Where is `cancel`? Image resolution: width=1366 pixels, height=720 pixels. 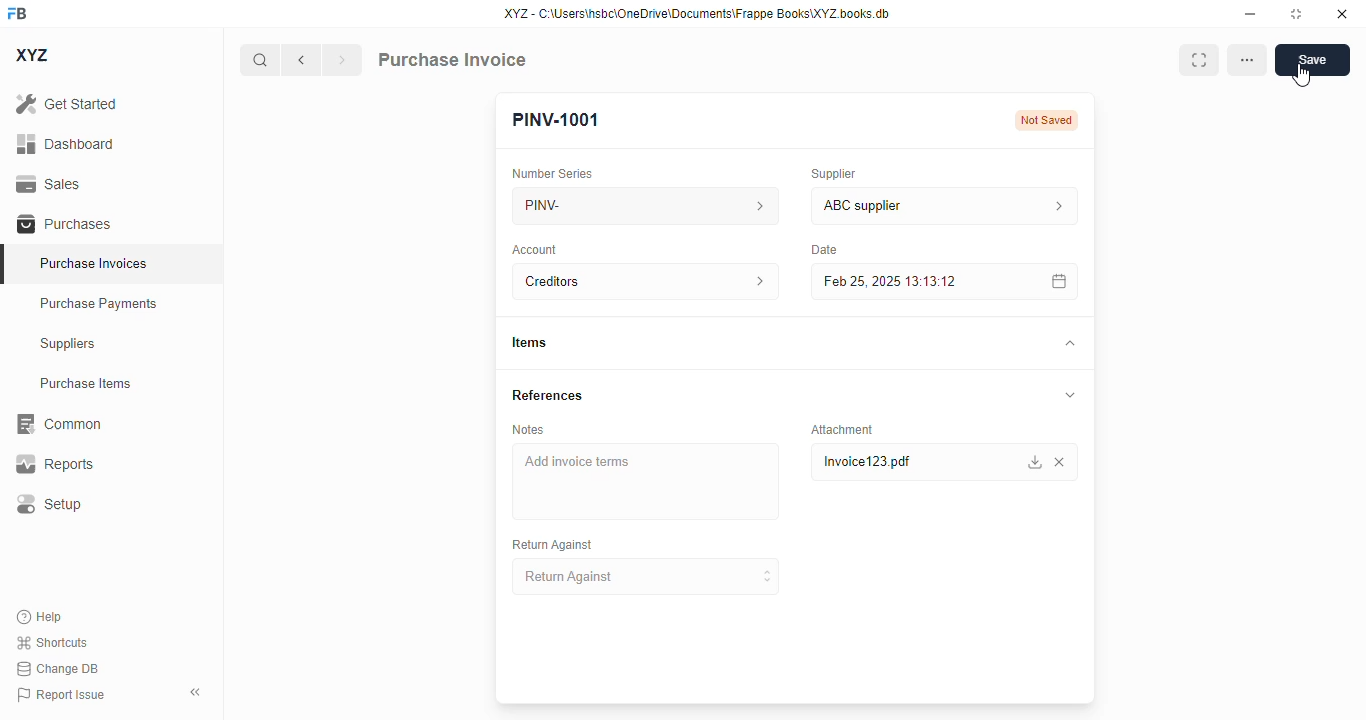
cancel is located at coordinates (1061, 462).